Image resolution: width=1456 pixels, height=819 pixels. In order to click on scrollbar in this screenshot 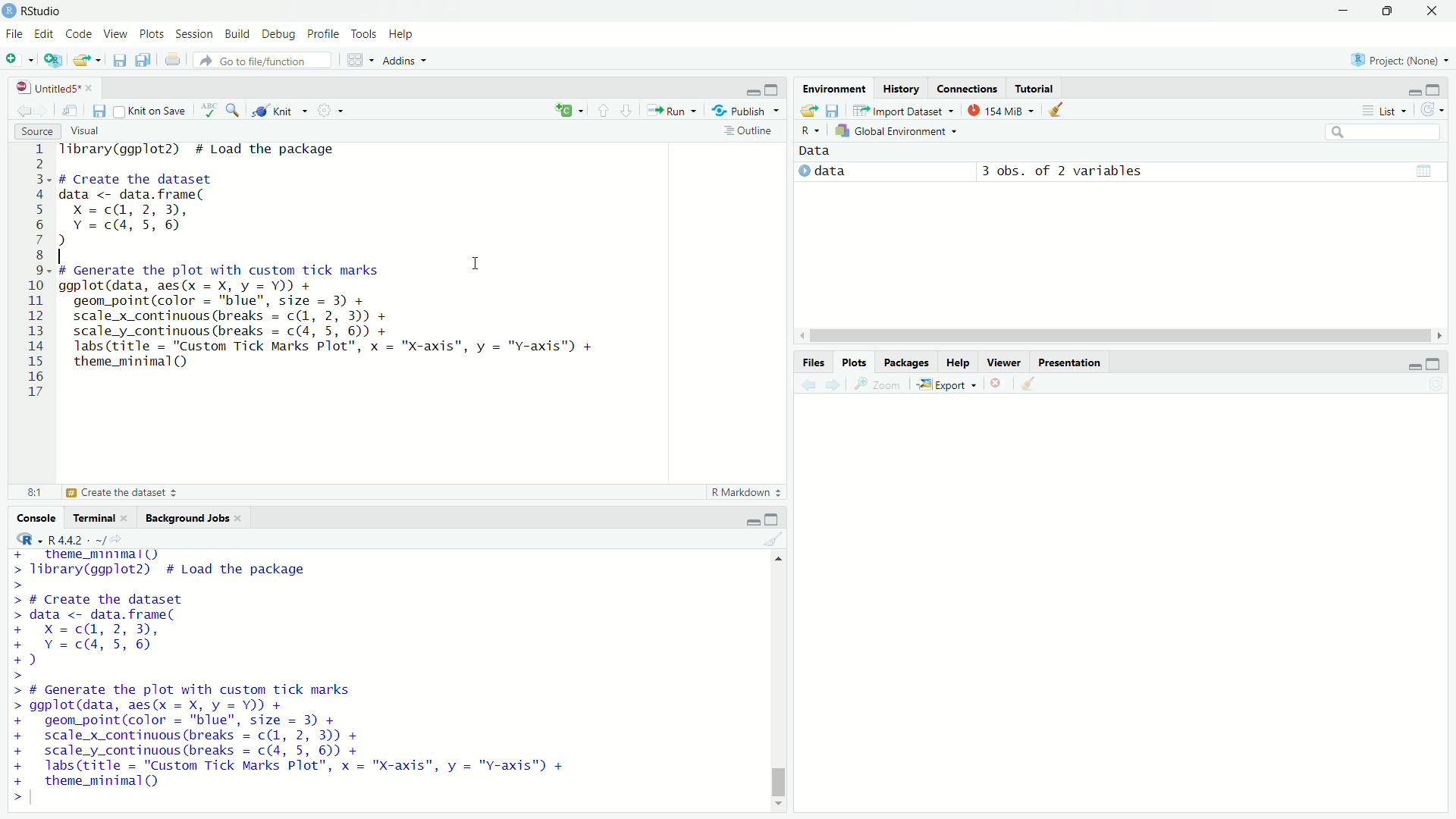, I will do `click(777, 684)`.